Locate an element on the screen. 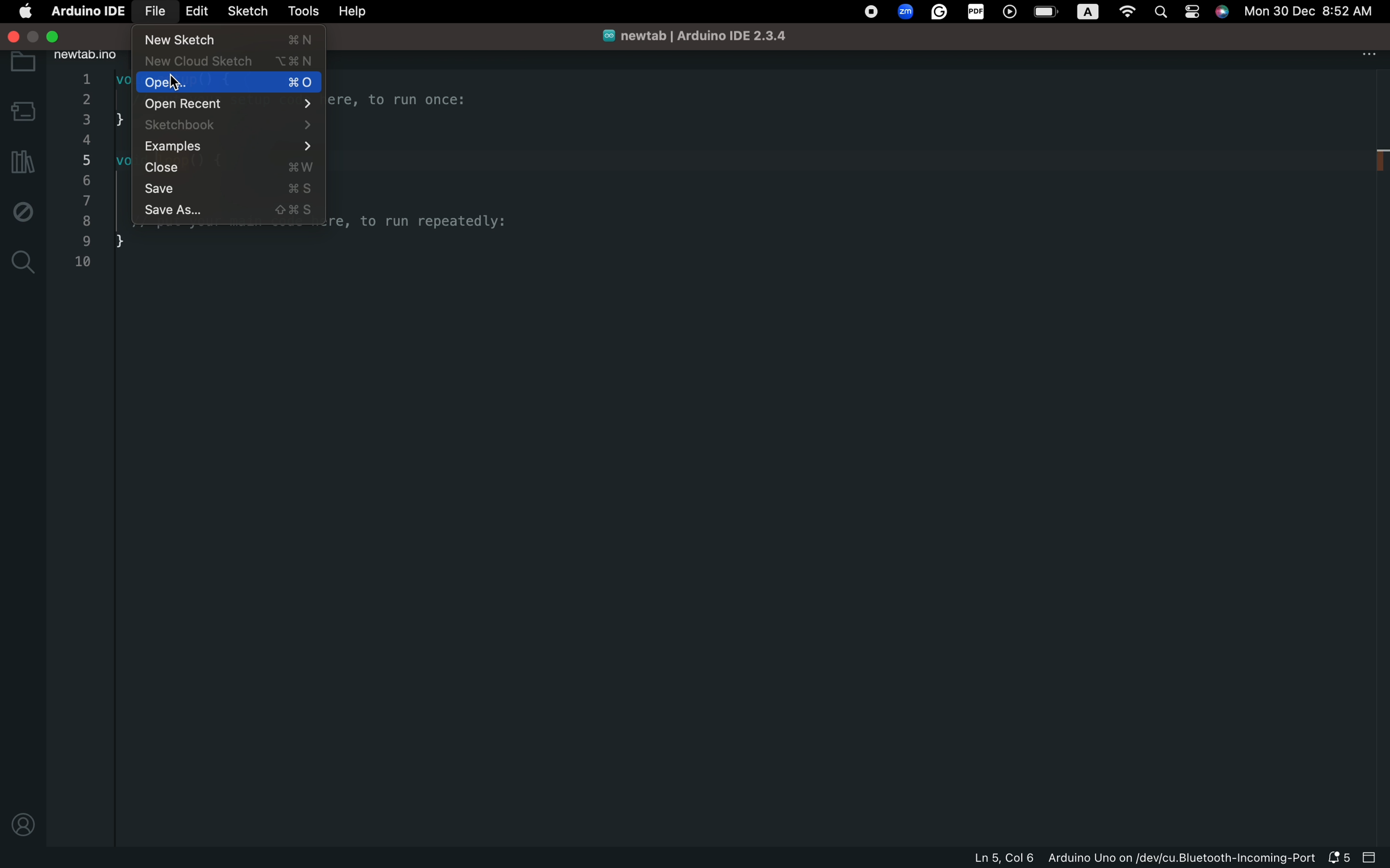 Image resolution: width=1390 pixels, height=868 pixels. edit is located at coordinates (193, 12).